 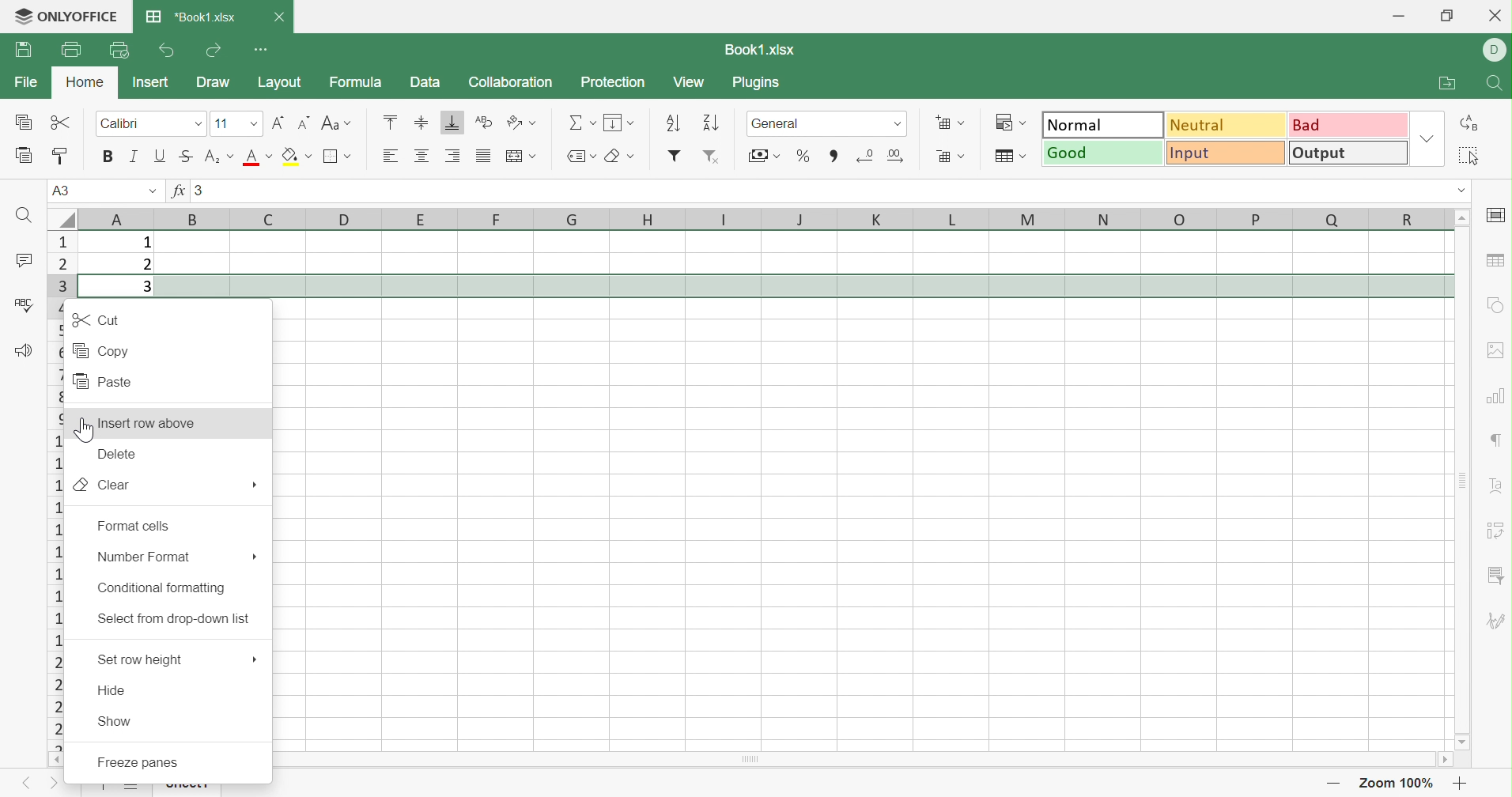 I want to click on List of sheets, so click(x=140, y=790).